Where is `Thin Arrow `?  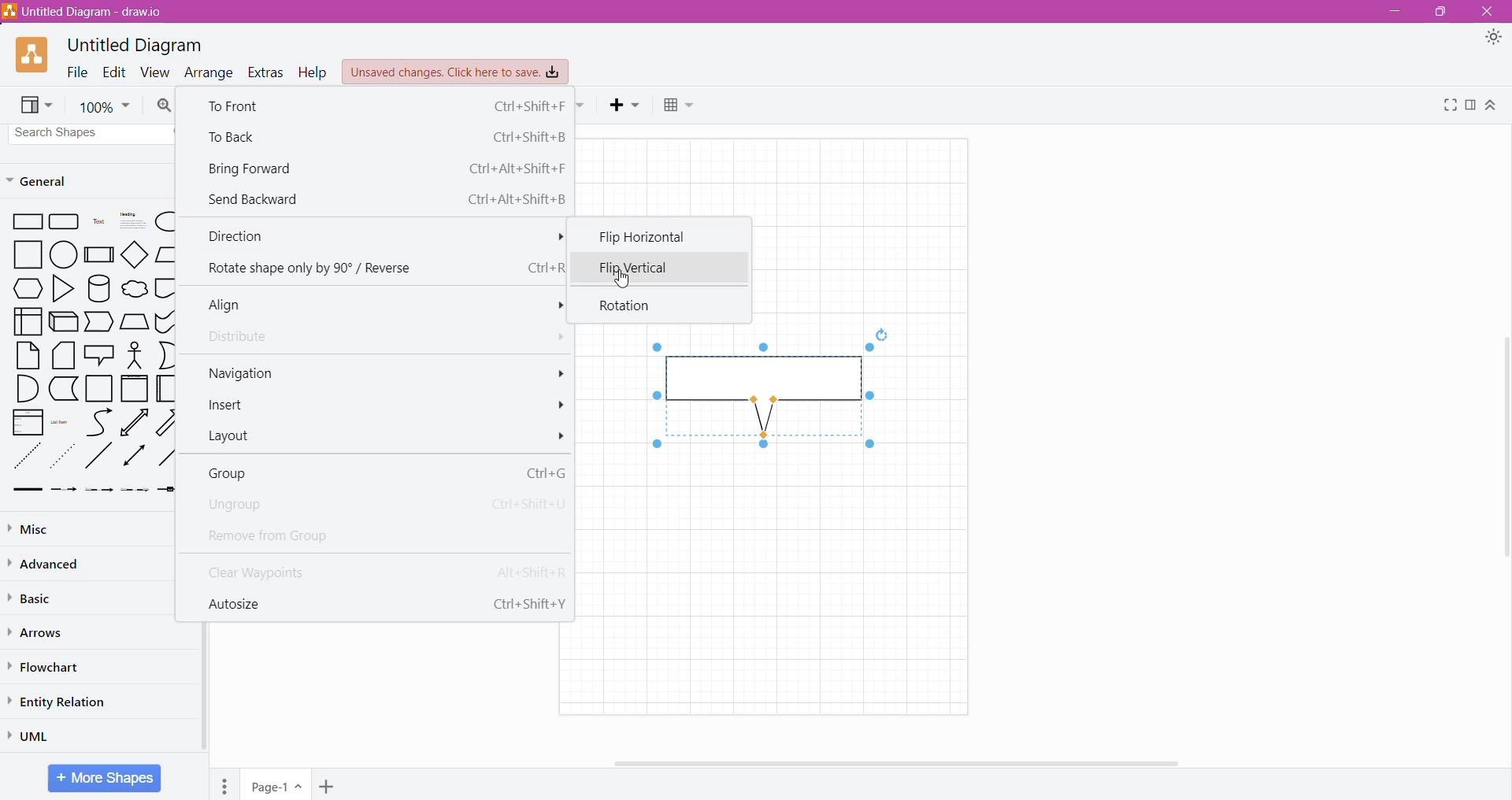 Thin Arrow  is located at coordinates (100, 491).